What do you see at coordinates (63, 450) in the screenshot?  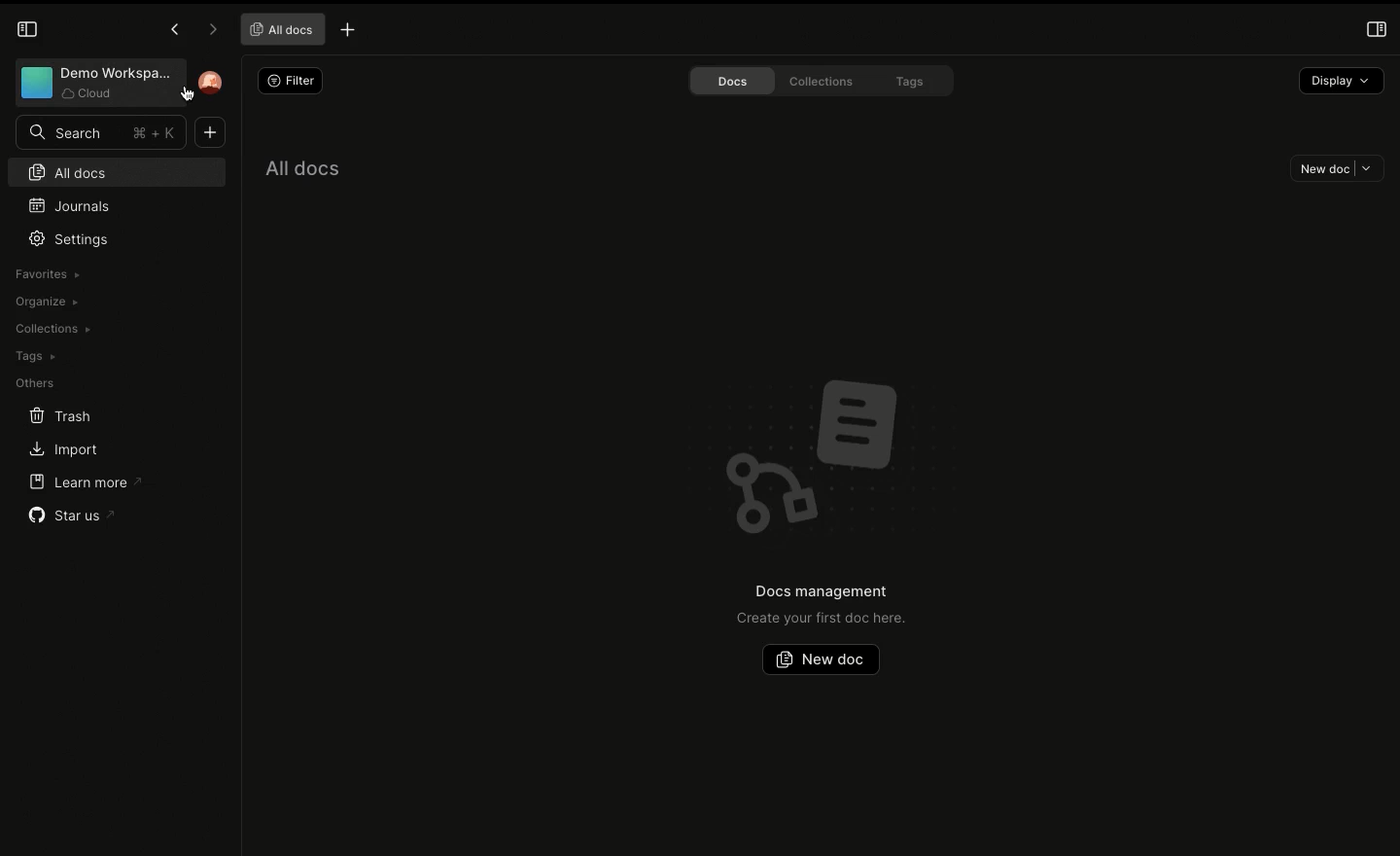 I see `Import` at bounding box center [63, 450].